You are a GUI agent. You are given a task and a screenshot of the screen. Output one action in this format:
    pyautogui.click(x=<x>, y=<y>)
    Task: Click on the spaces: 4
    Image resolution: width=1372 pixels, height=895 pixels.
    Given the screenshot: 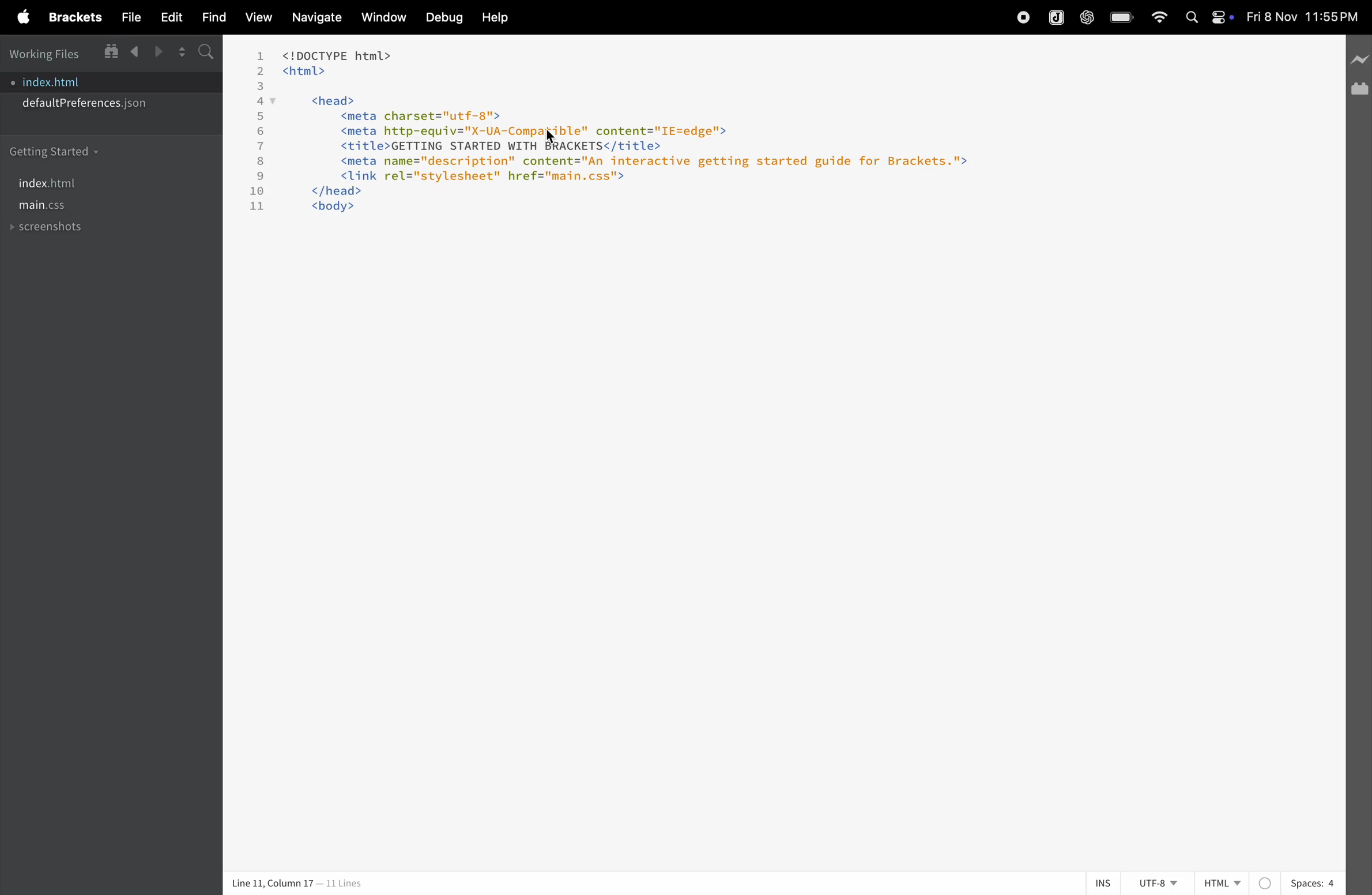 What is the action you would take?
    pyautogui.click(x=1299, y=882)
    